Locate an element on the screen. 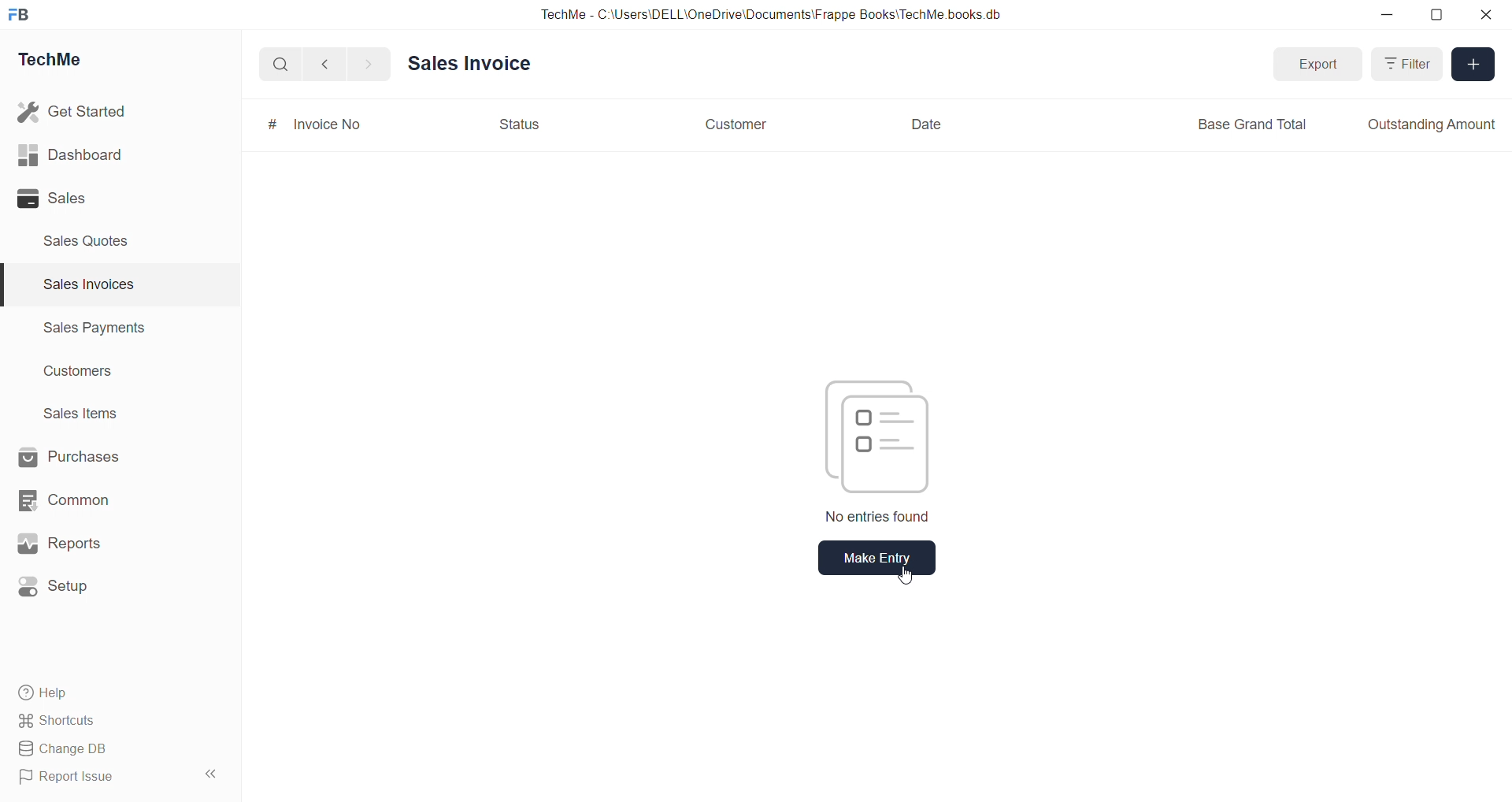 This screenshot has width=1512, height=802. FB is located at coordinates (19, 16).